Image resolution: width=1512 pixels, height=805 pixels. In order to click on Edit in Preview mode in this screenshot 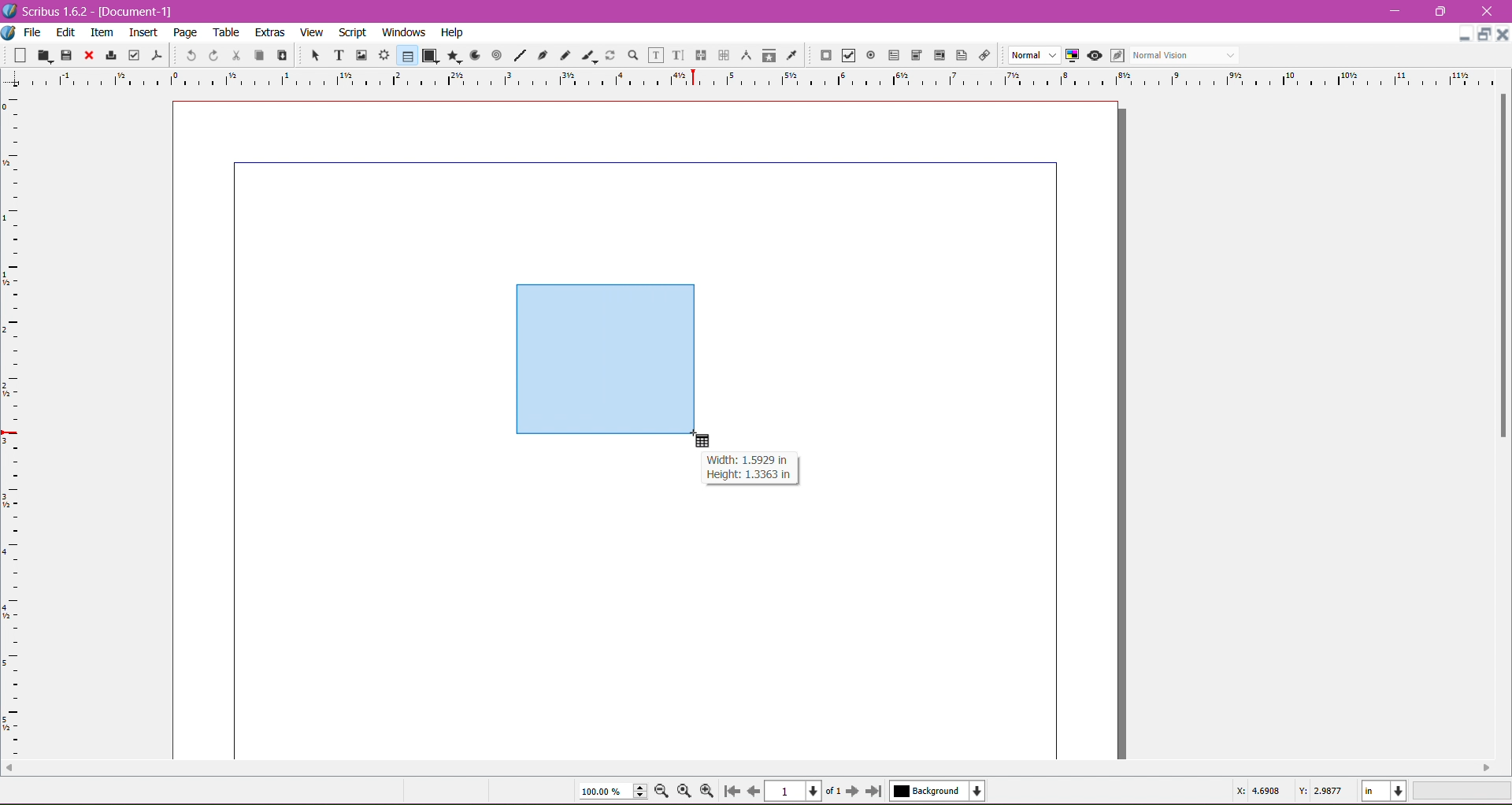, I will do `click(1116, 55)`.